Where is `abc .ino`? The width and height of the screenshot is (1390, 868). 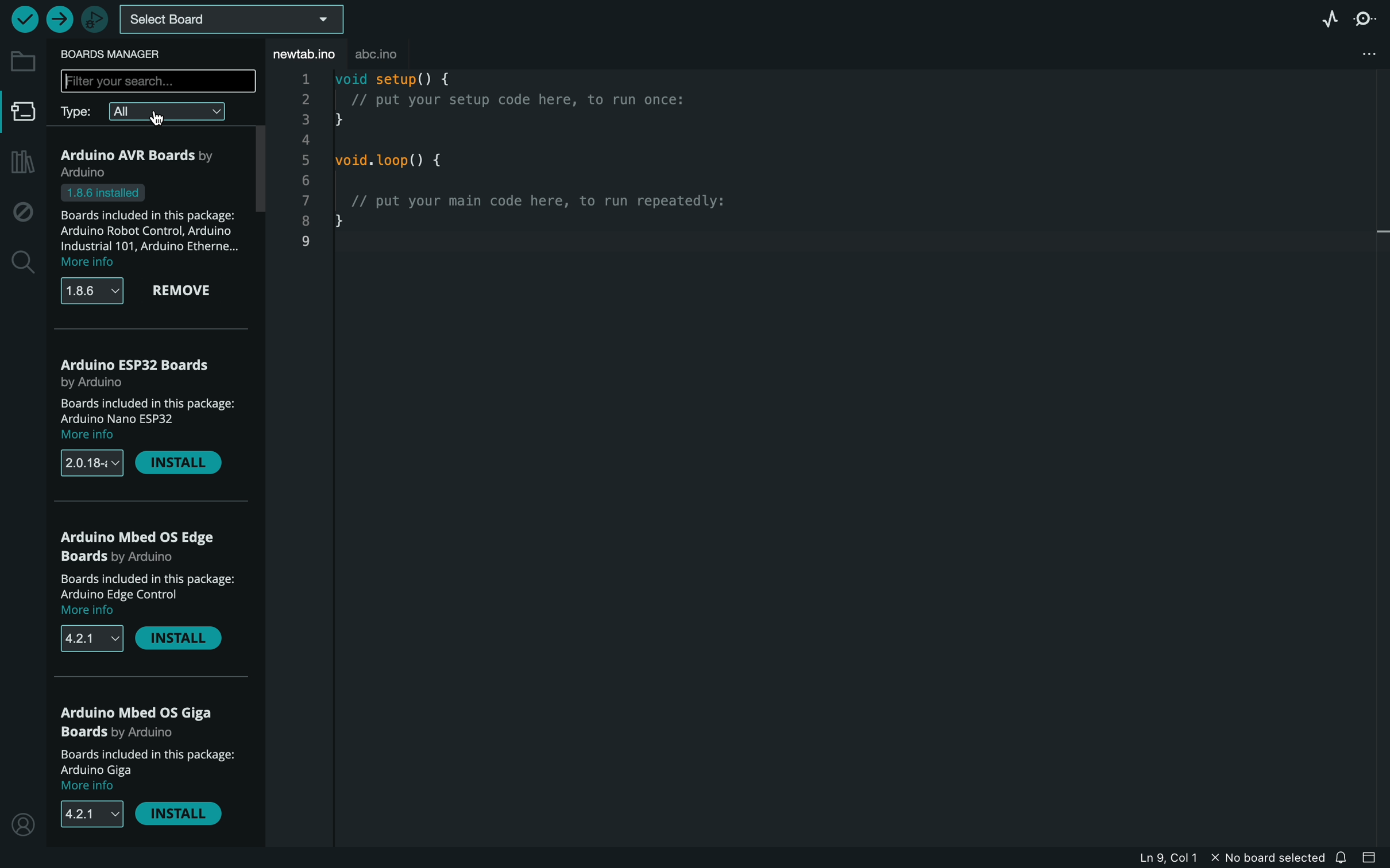
abc .ino is located at coordinates (389, 51).